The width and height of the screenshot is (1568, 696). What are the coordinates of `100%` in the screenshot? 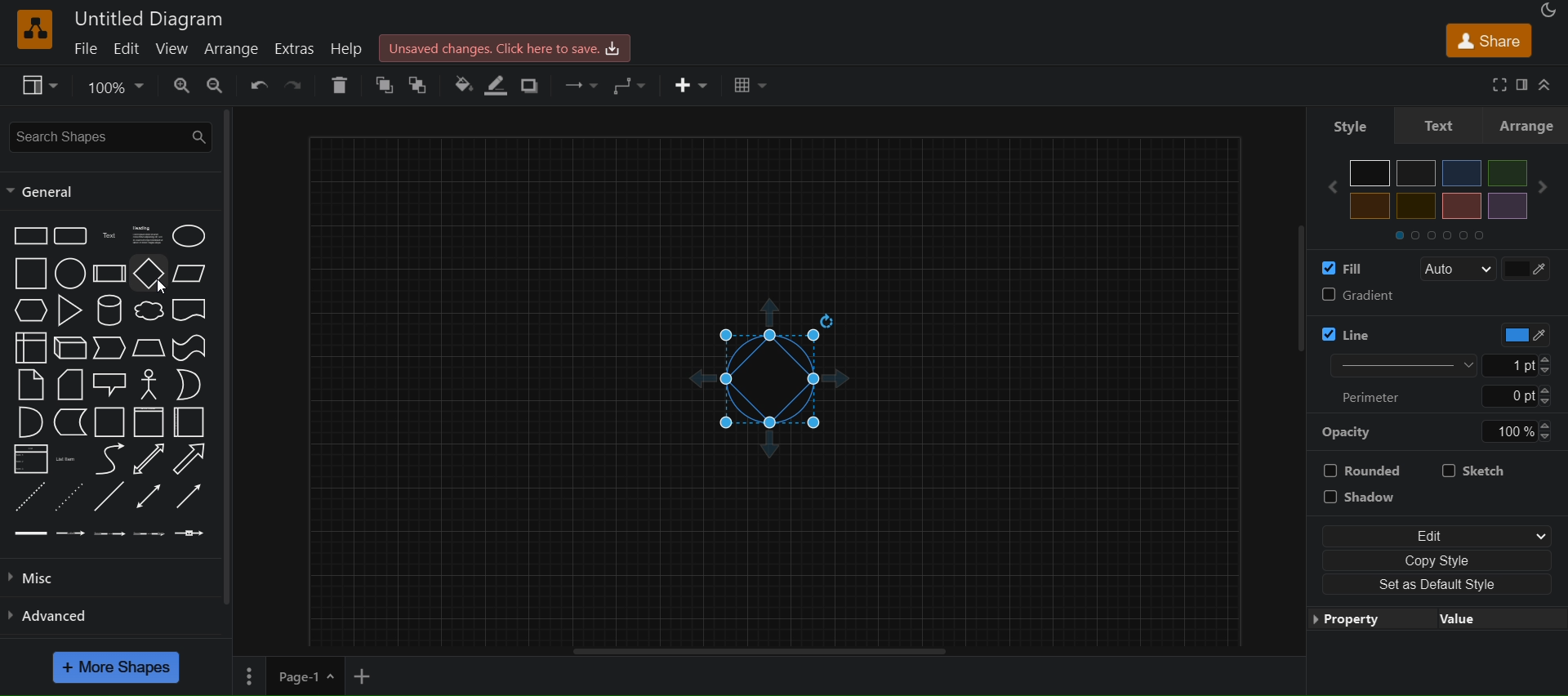 It's located at (1517, 431).